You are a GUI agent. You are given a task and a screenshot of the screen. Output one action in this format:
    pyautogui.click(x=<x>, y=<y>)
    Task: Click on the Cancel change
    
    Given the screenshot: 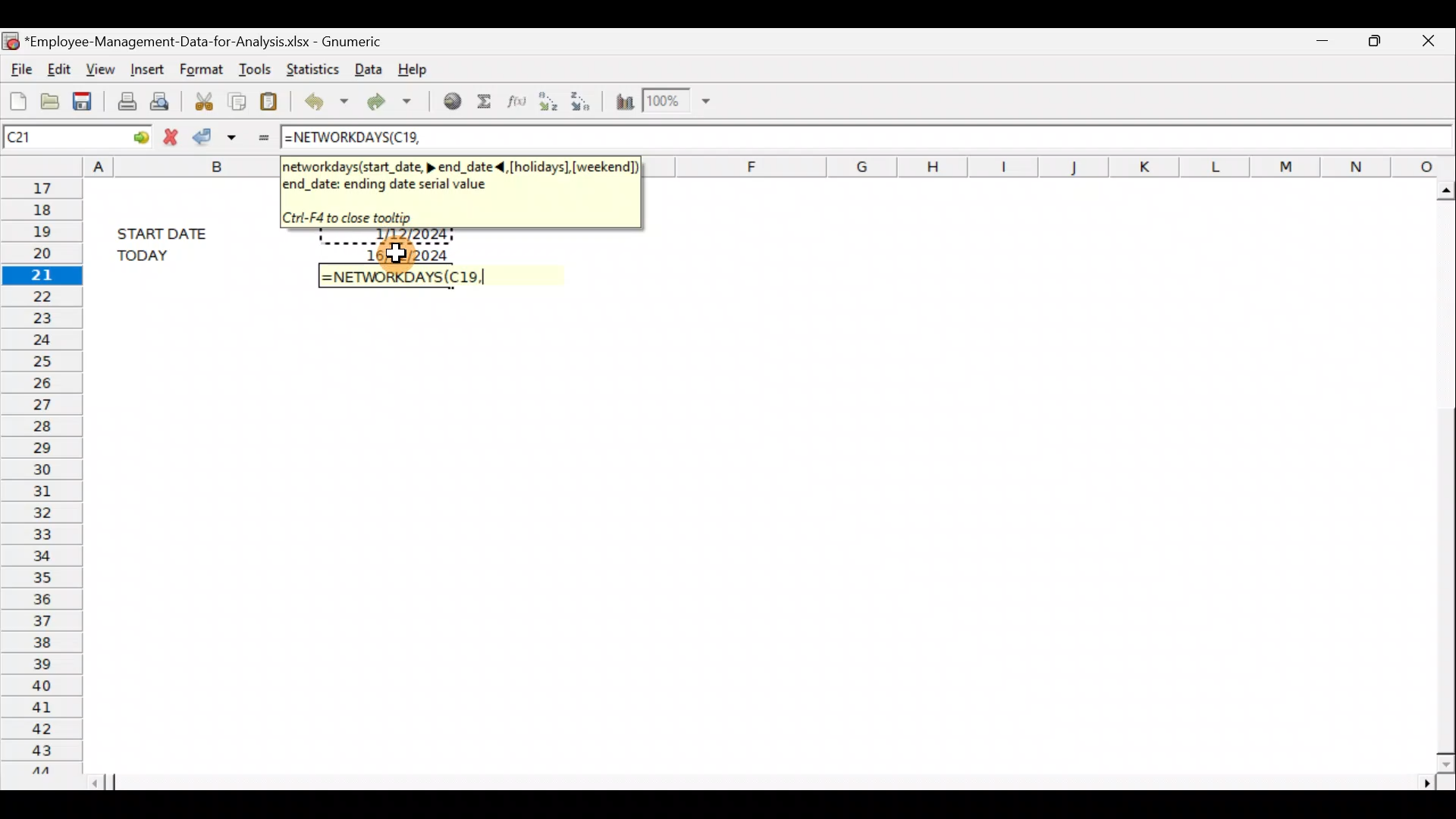 What is the action you would take?
    pyautogui.click(x=169, y=136)
    